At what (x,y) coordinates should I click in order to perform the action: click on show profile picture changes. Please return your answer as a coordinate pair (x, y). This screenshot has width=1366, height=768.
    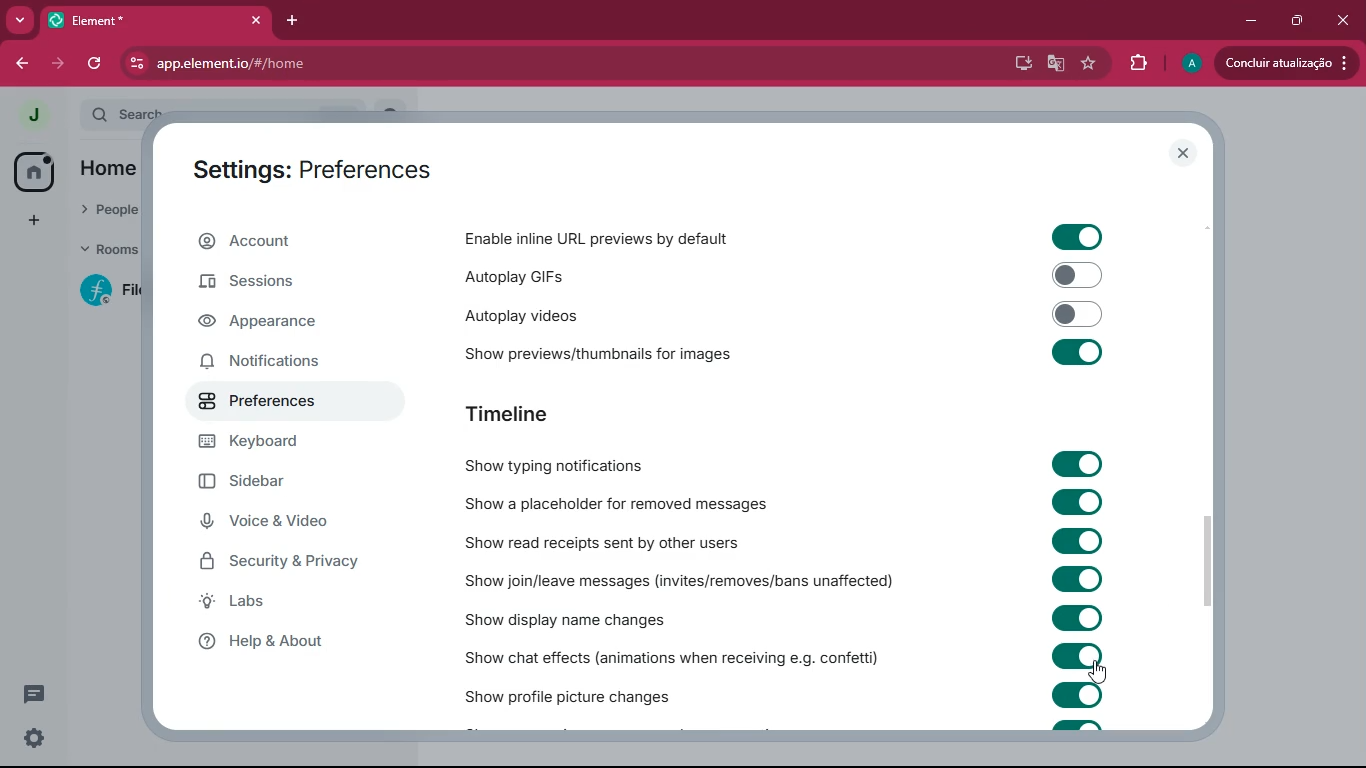
    Looking at the image, I should click on (570, 692).